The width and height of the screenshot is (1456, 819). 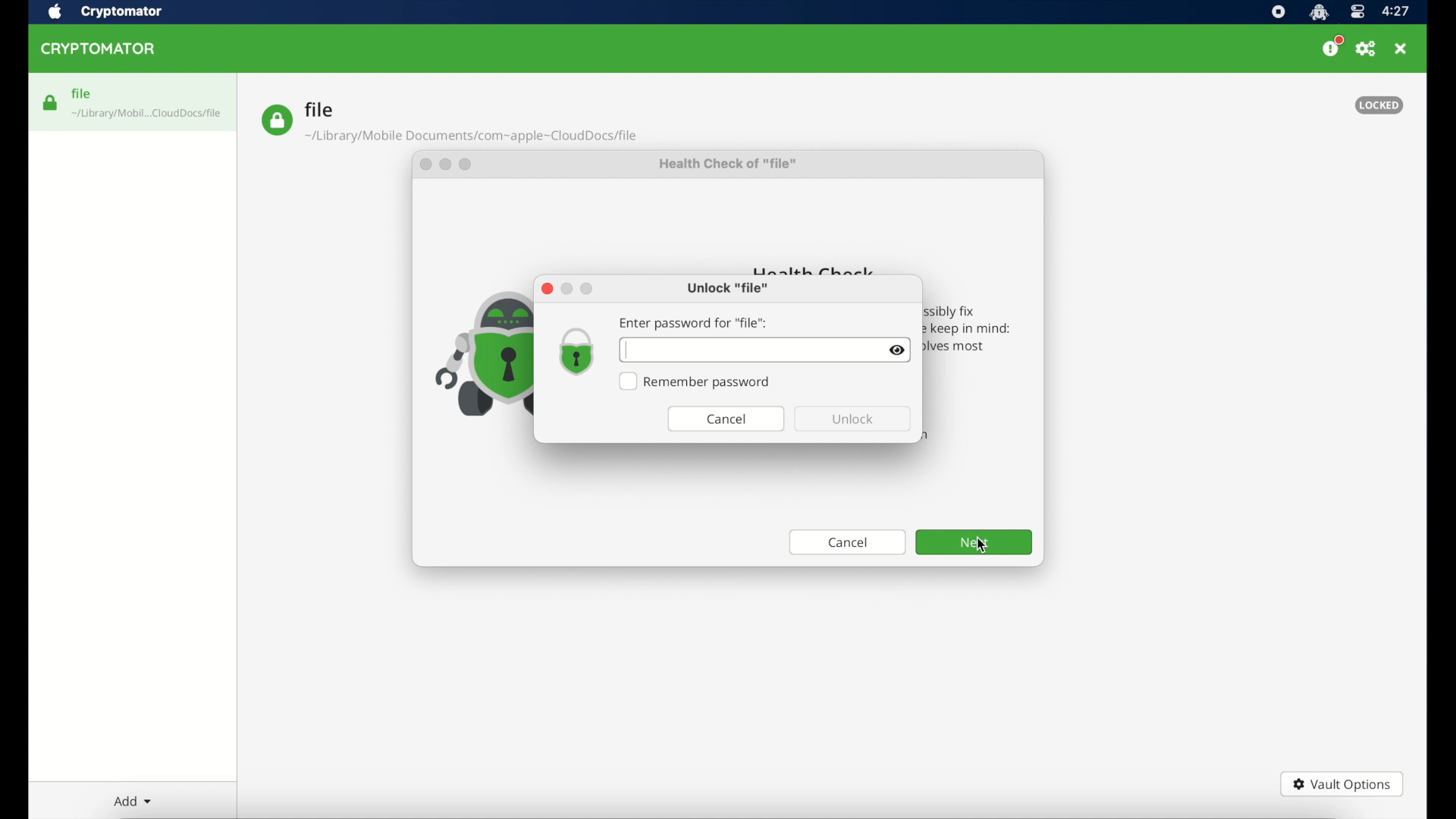 What do you see at coordinates (424, 167) in the screenshot?
I see `close` at bounding box center [424, 167].